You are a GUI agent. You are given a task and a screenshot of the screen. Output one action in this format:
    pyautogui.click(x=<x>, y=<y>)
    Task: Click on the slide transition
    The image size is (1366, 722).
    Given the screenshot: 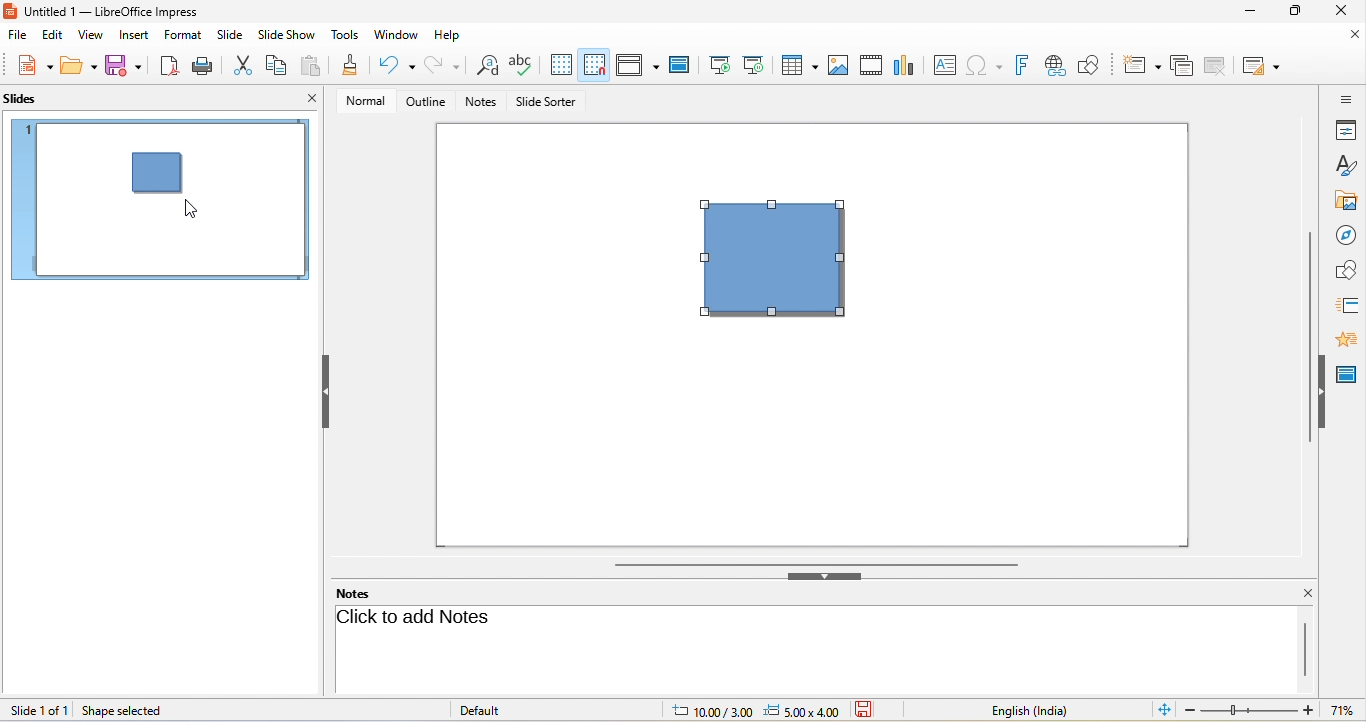 What is the action you would take?
    pyautogui.click(x=1347, y=303)
    